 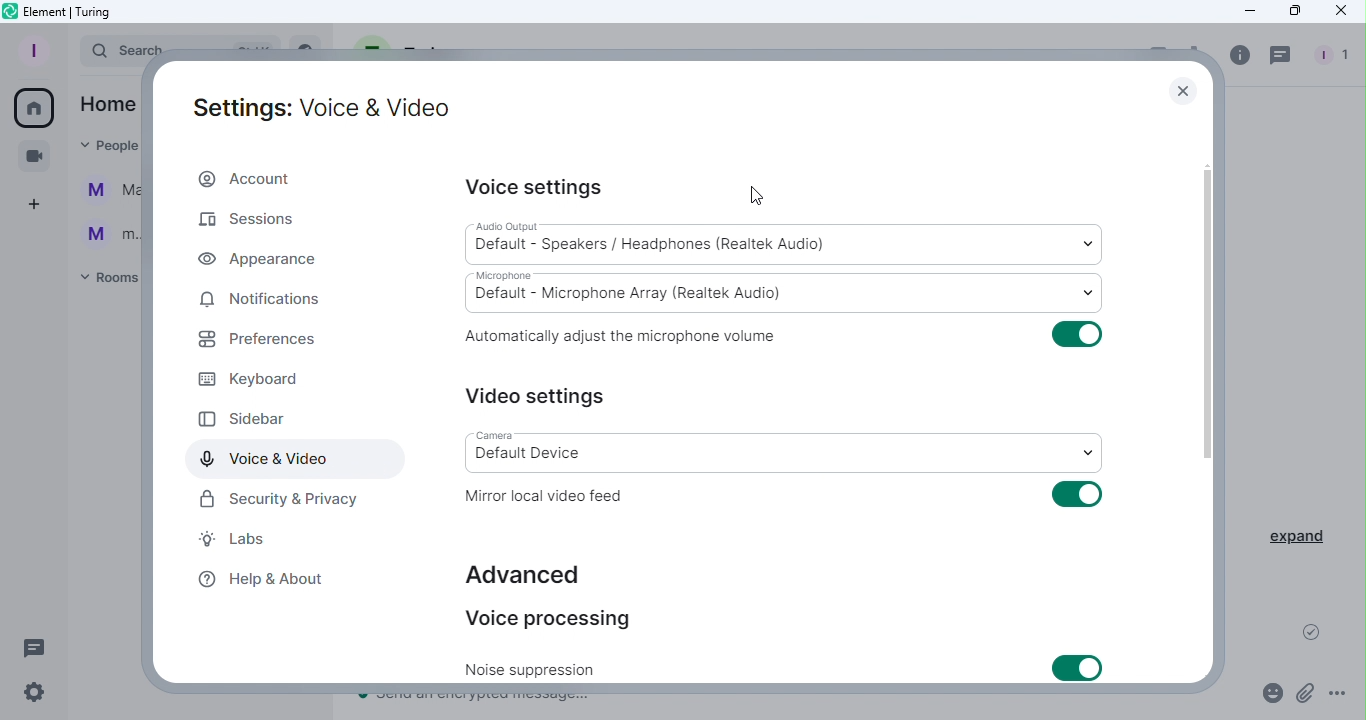 What do you see at coordinates (1306, 697) in the screenshot?
I see `Attachment` at bounding box center [1306, 697].